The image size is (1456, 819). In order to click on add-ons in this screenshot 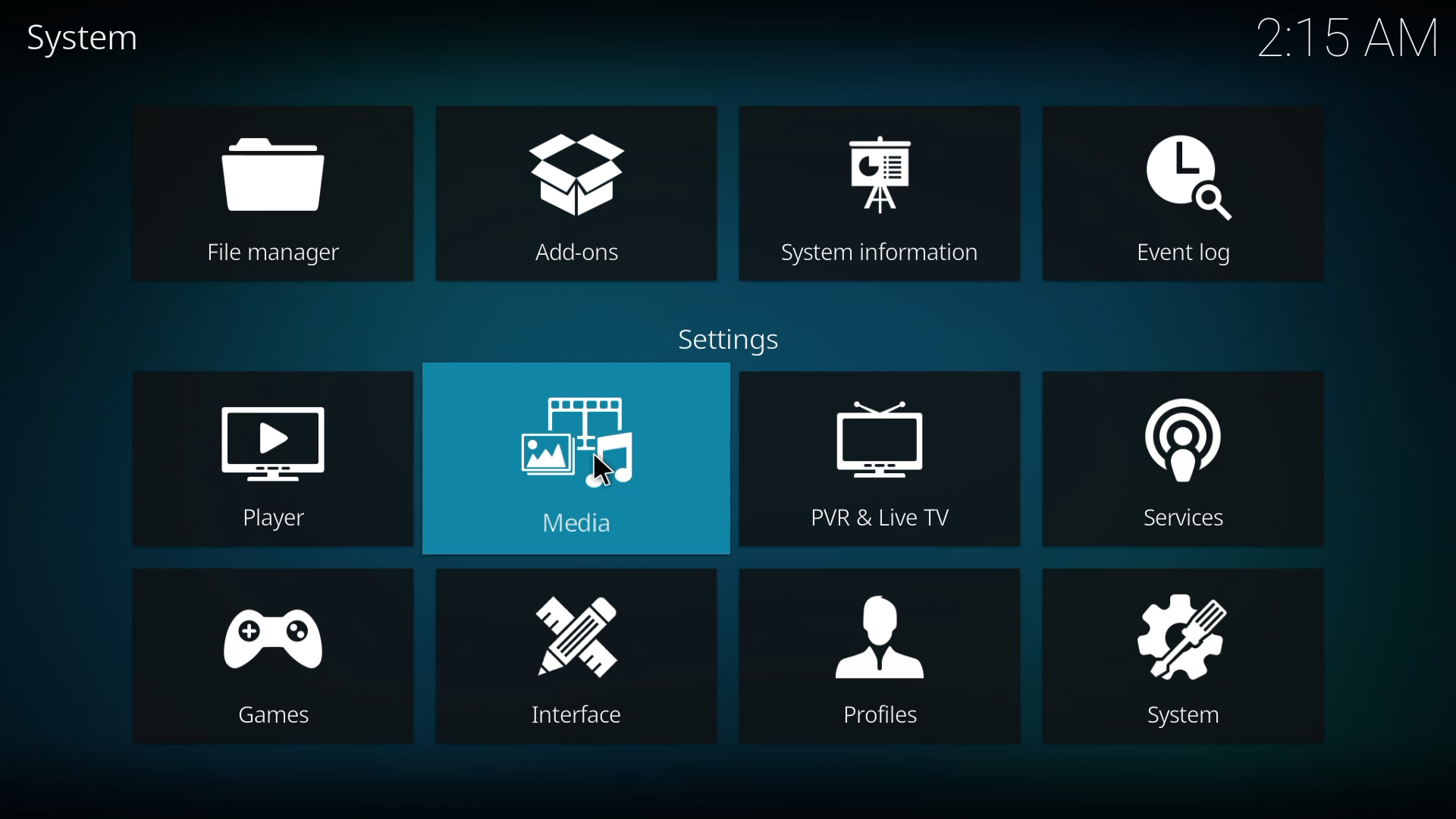, I will do `click(571, 196)`.